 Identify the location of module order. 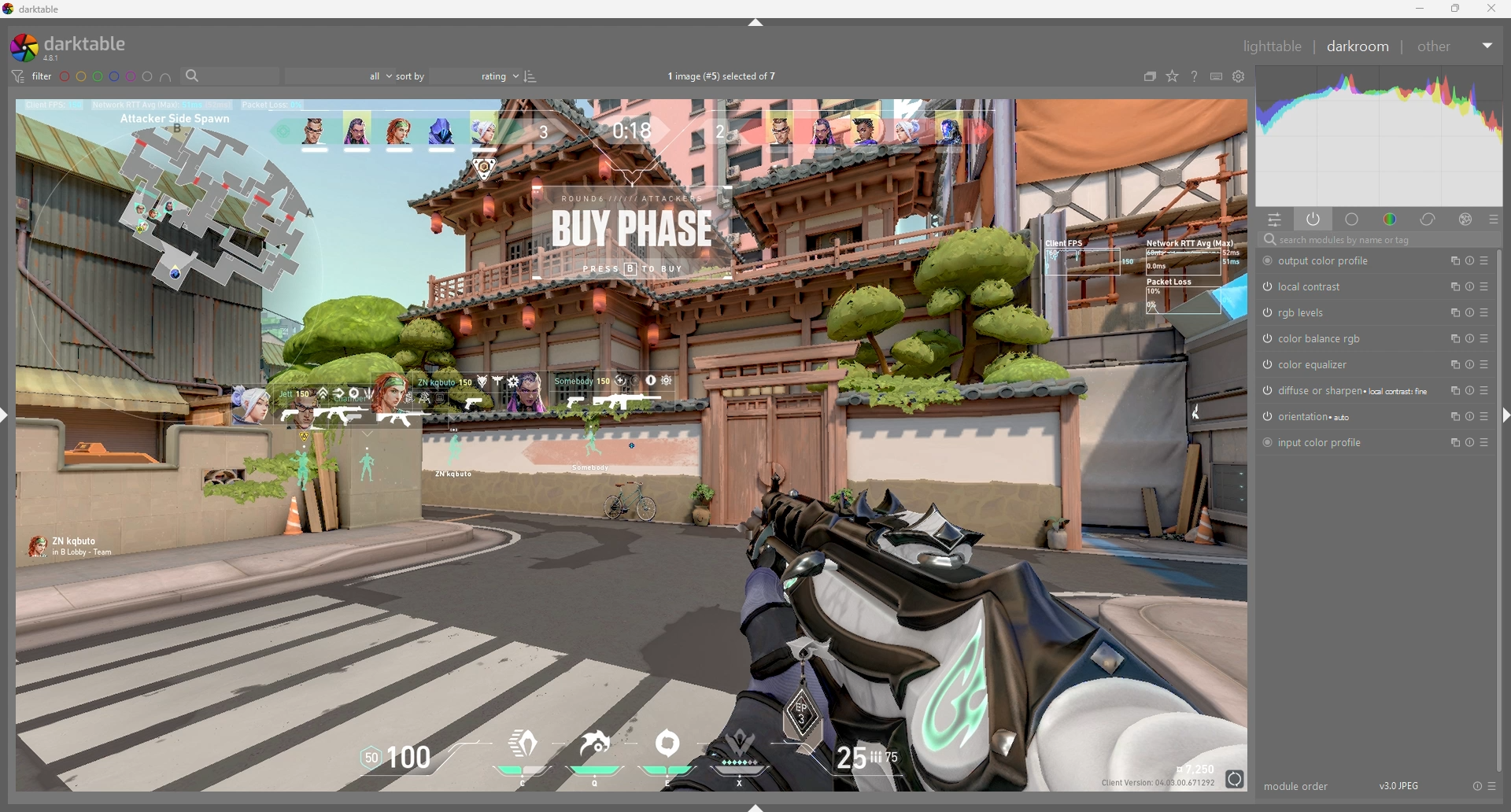
(1299, 786).